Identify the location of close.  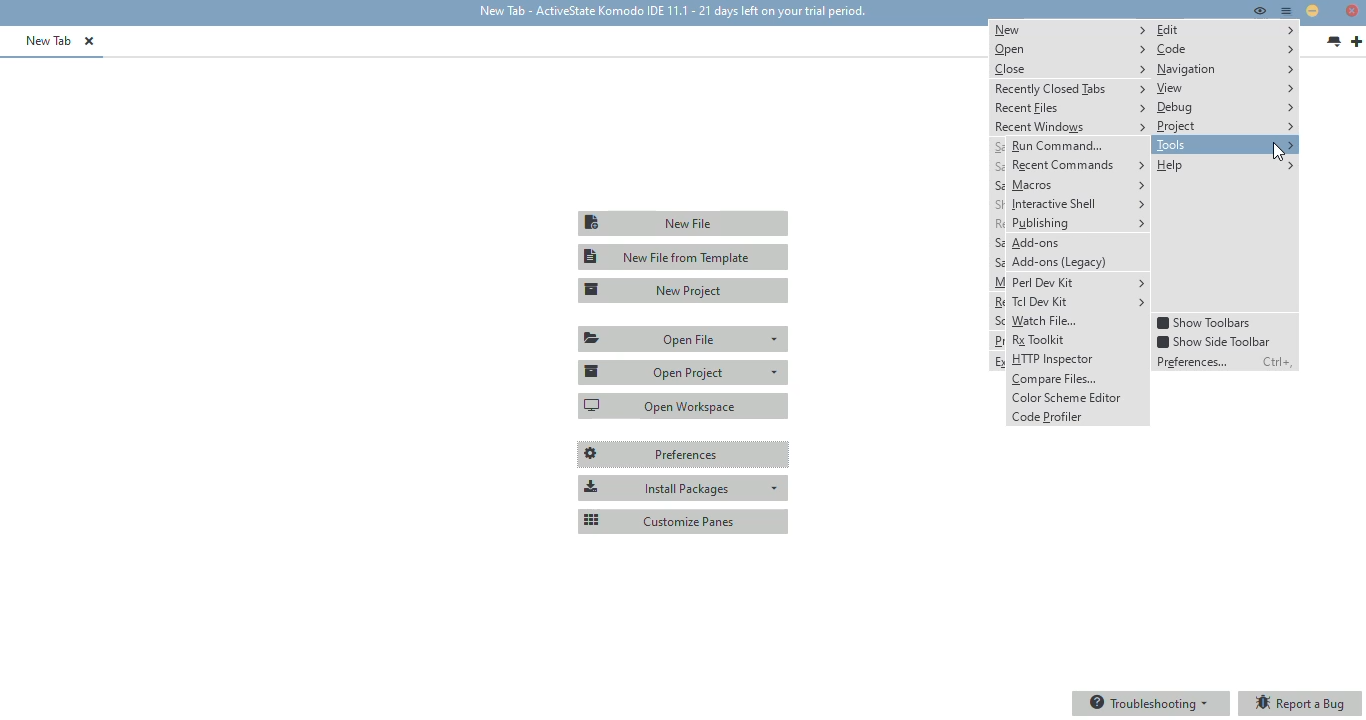
(1070, 68).